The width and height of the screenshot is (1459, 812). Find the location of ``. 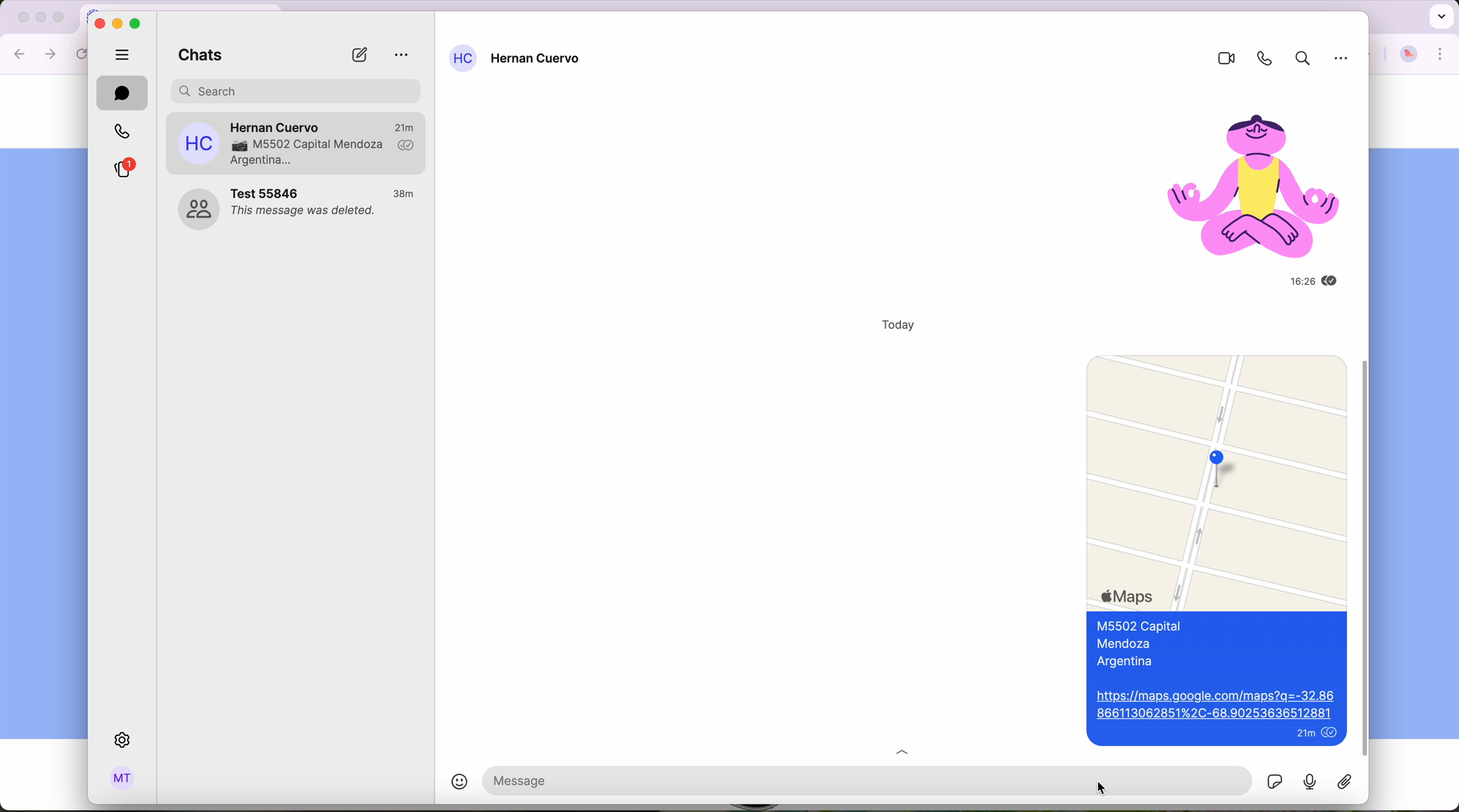

 is located at coordinates (1343, 63).